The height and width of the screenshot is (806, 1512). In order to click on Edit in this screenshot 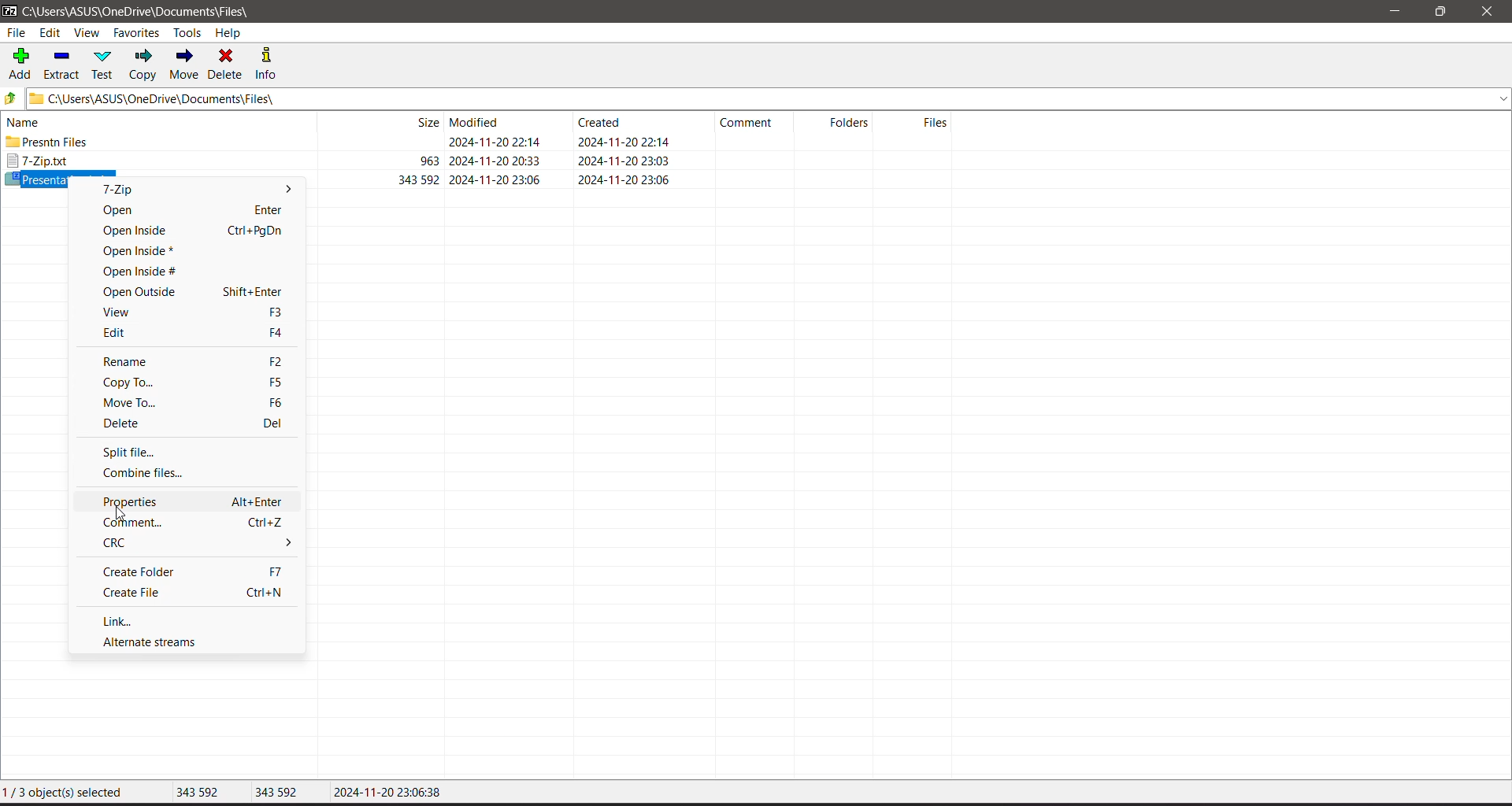, I will do `click(187, 333)`.